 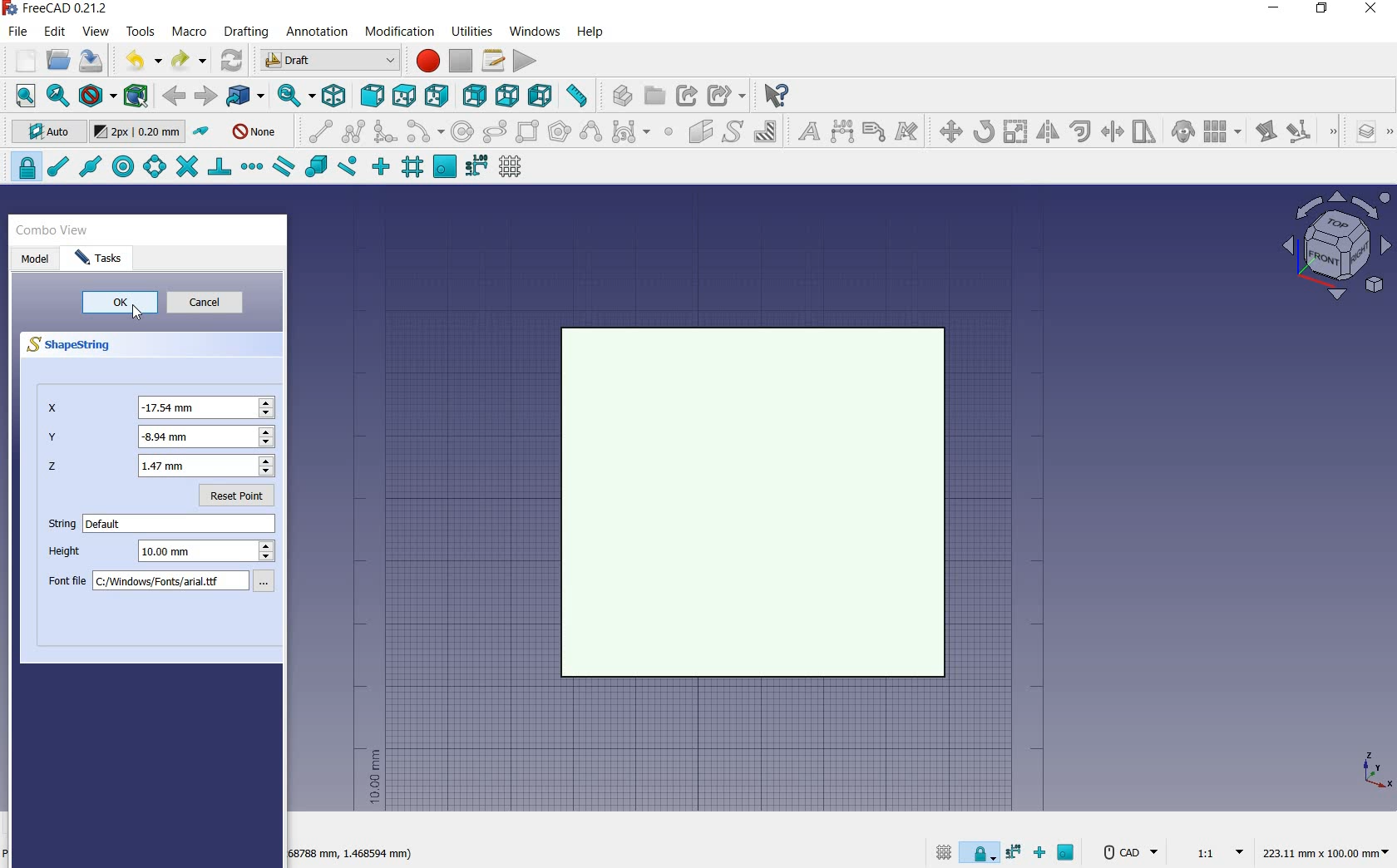 What do you see at coordinates (687, 94) in the screenshot?
I see `make link` at bounding box center [687, 94].